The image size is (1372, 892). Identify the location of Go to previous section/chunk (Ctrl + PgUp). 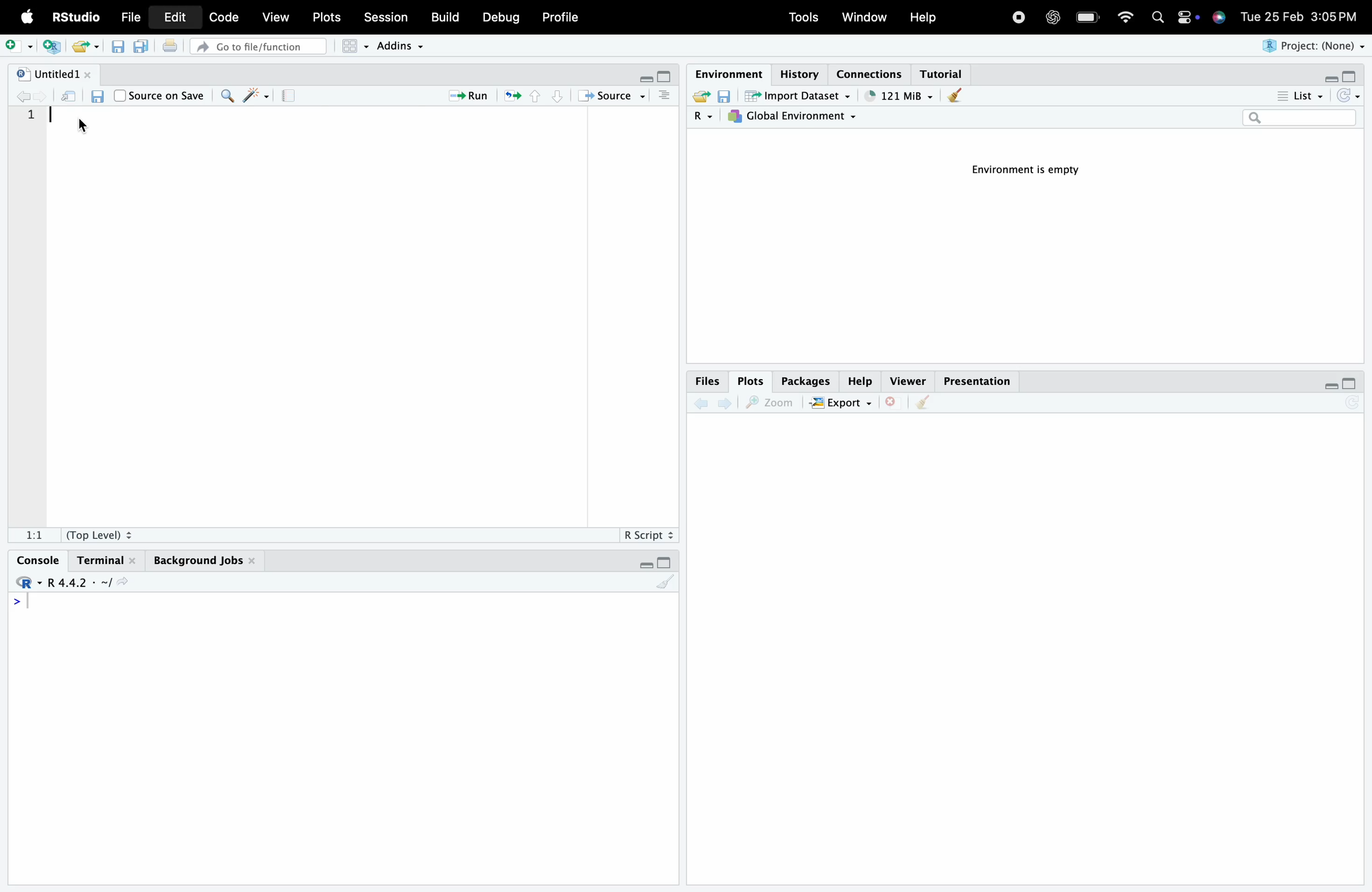
(536, 97).